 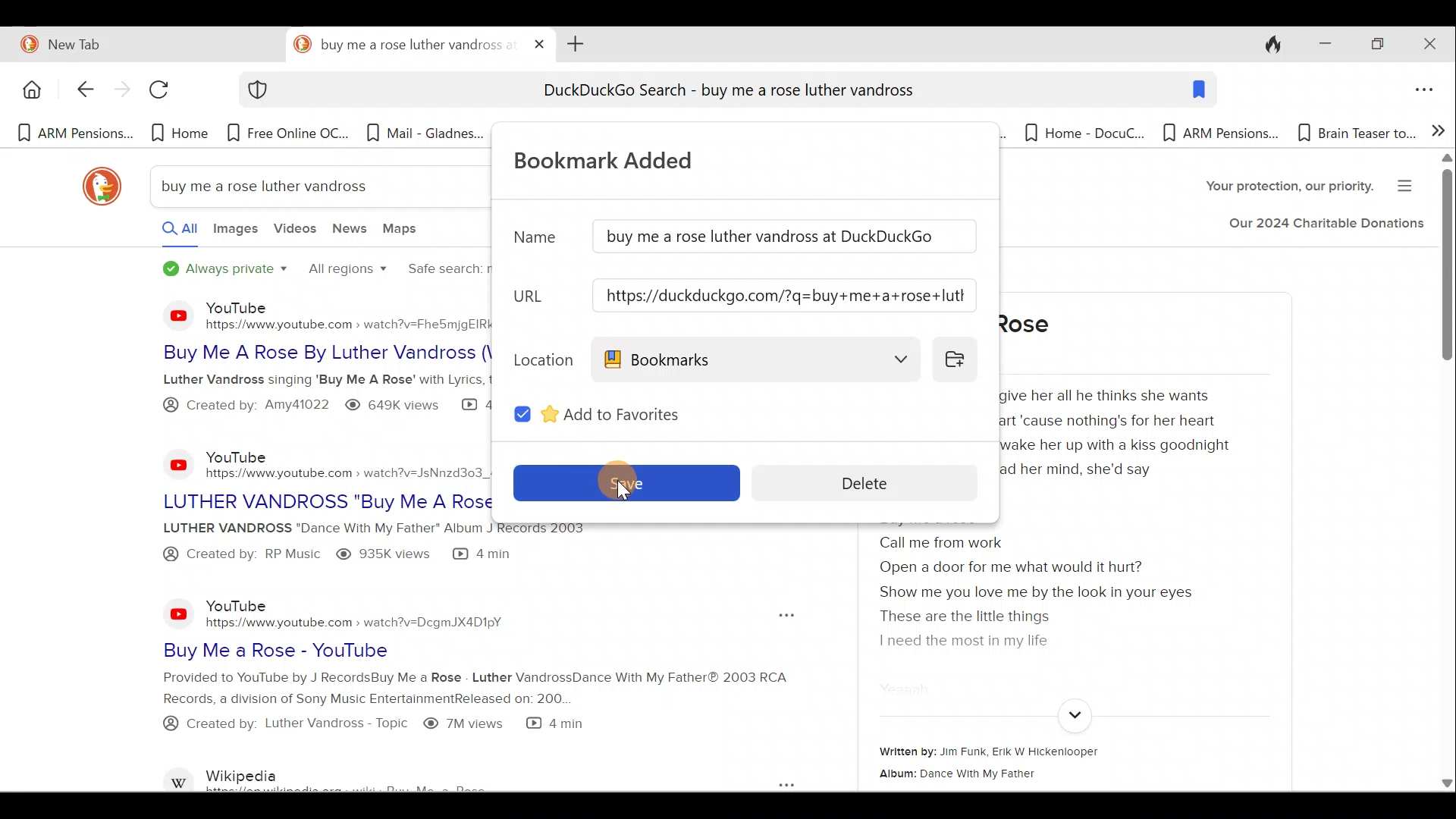 What do you see at coordinates (782, 616) in the screenshot?
I see `Pop out` at bounding box center [782, 616].